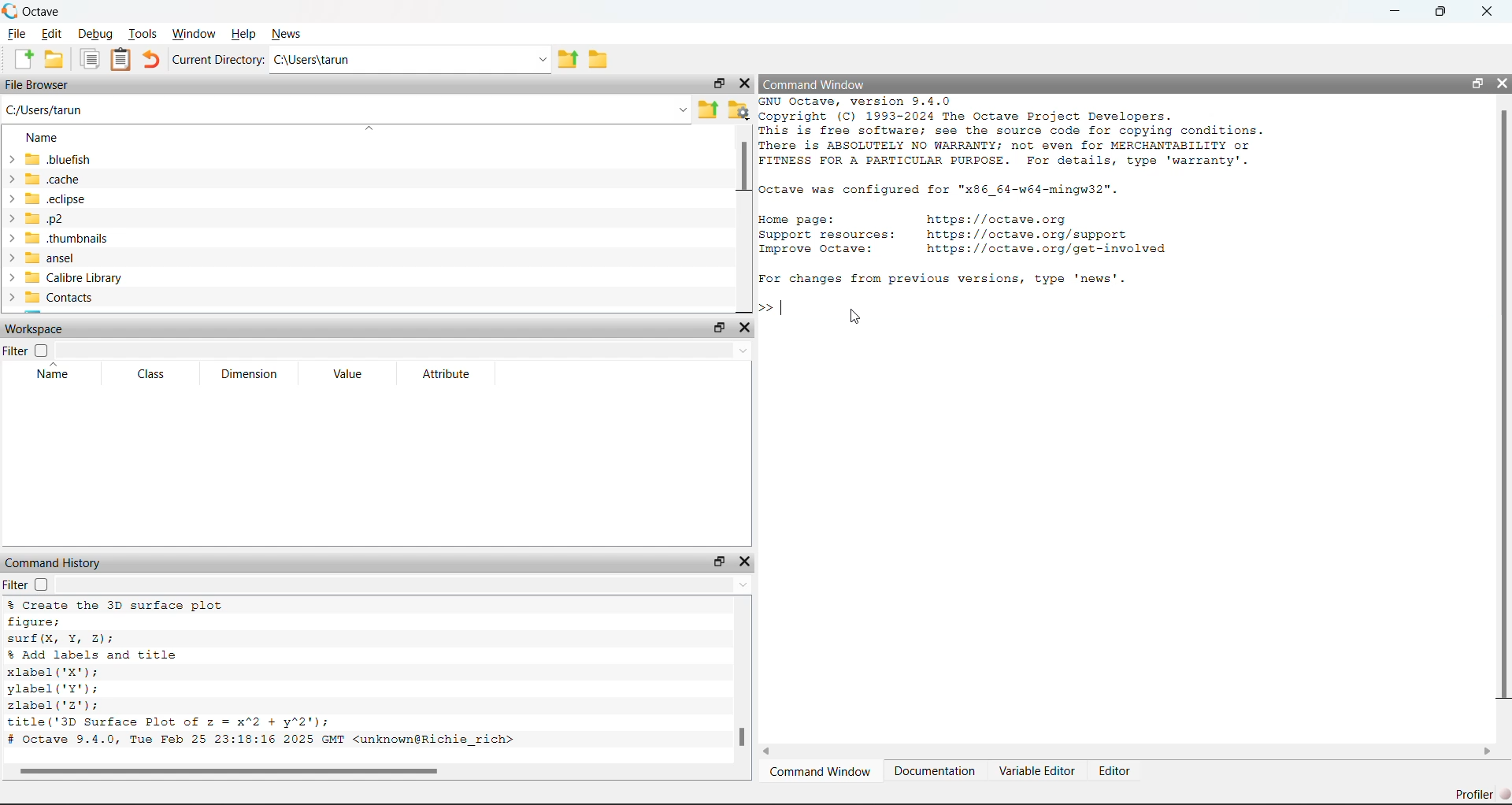 The width and height of the screenshot is (1512, 805). Describe the element at coordinates (1487, 9) in the screenshot. I see `Close` at that location.